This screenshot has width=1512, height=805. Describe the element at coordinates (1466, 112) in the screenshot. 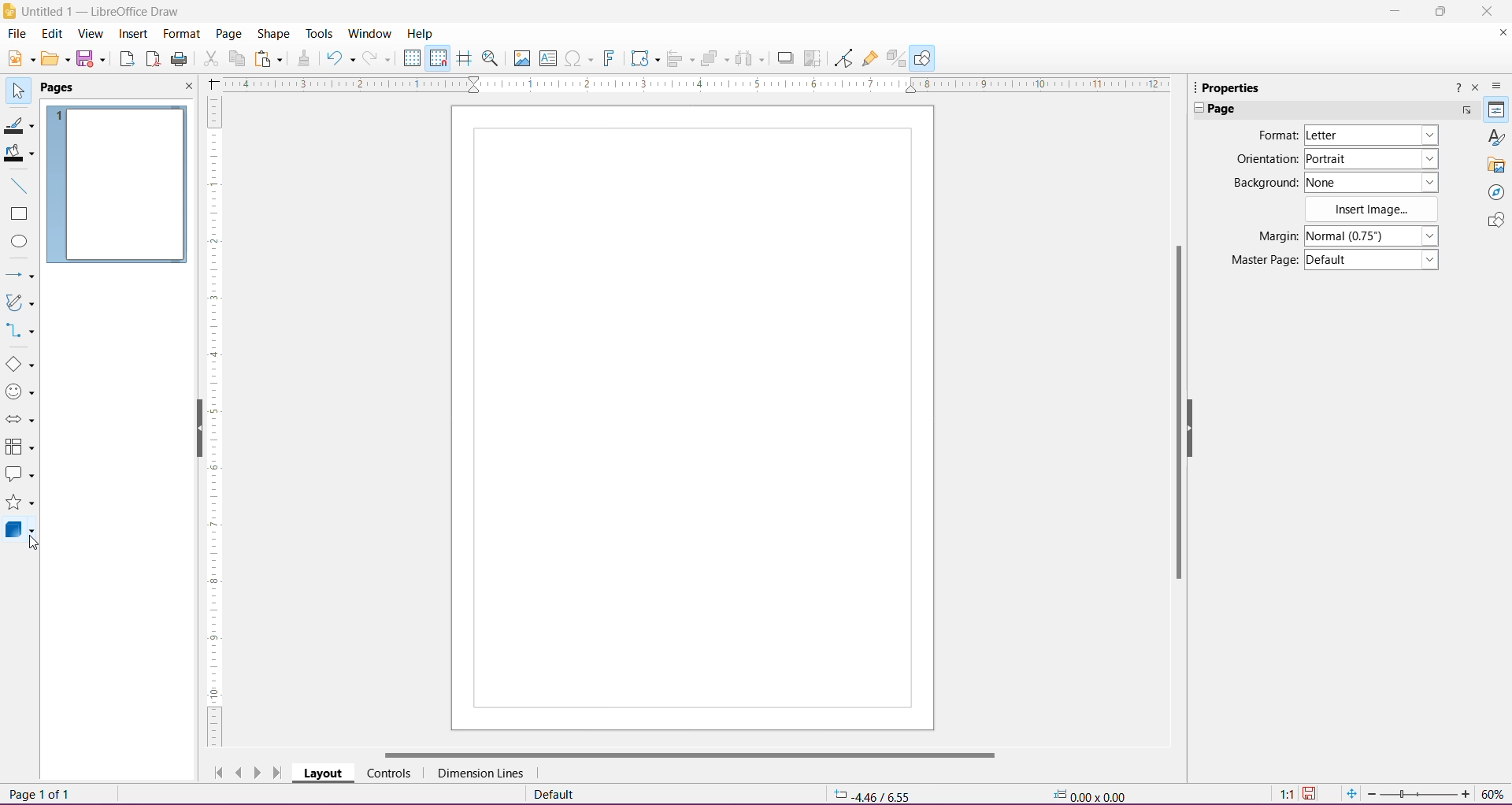

I see `More Options` at that location.